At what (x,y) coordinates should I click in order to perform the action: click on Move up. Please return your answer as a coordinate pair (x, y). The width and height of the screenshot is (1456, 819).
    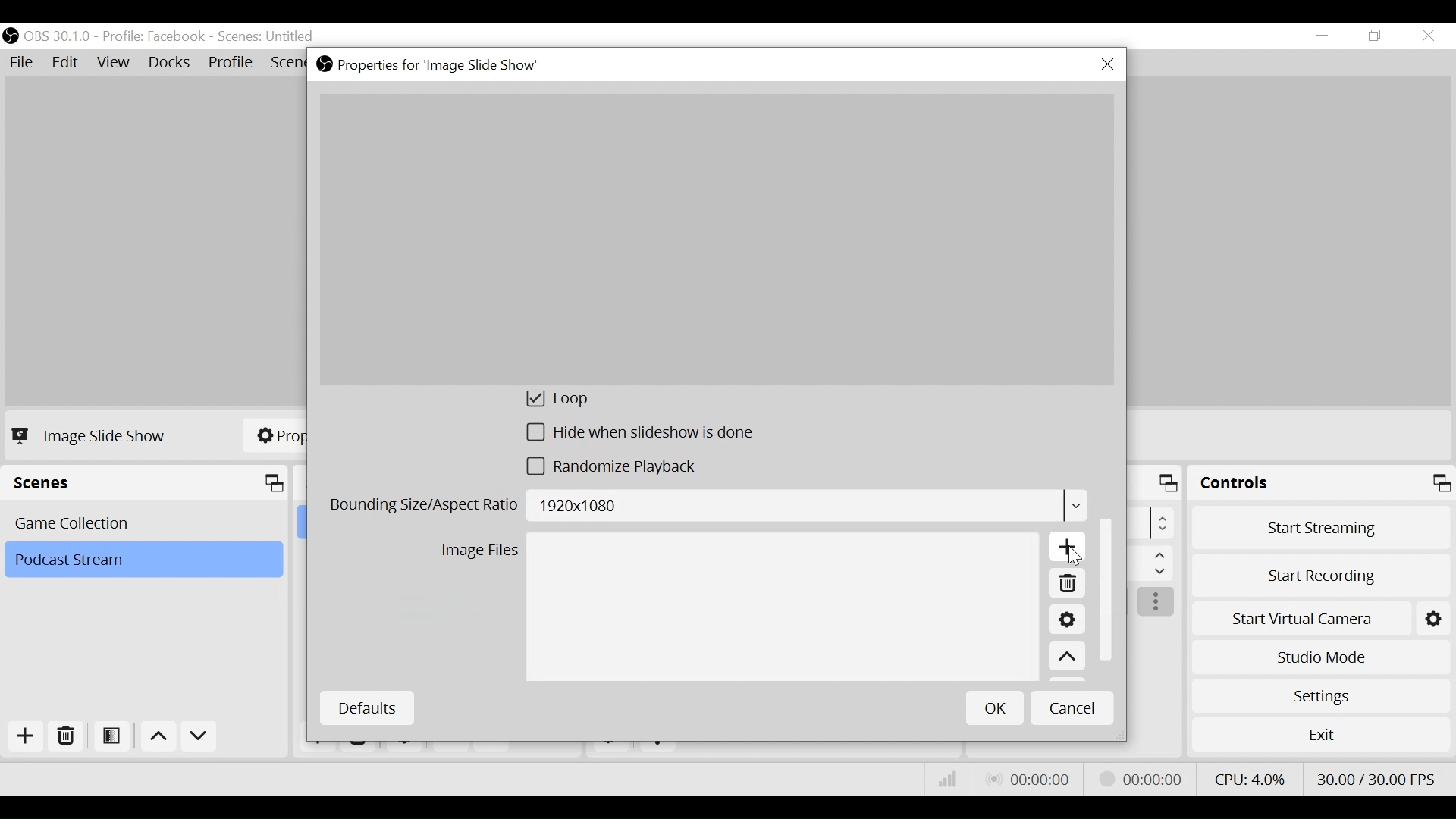
    Looking at the image, I should click on (161, 739).